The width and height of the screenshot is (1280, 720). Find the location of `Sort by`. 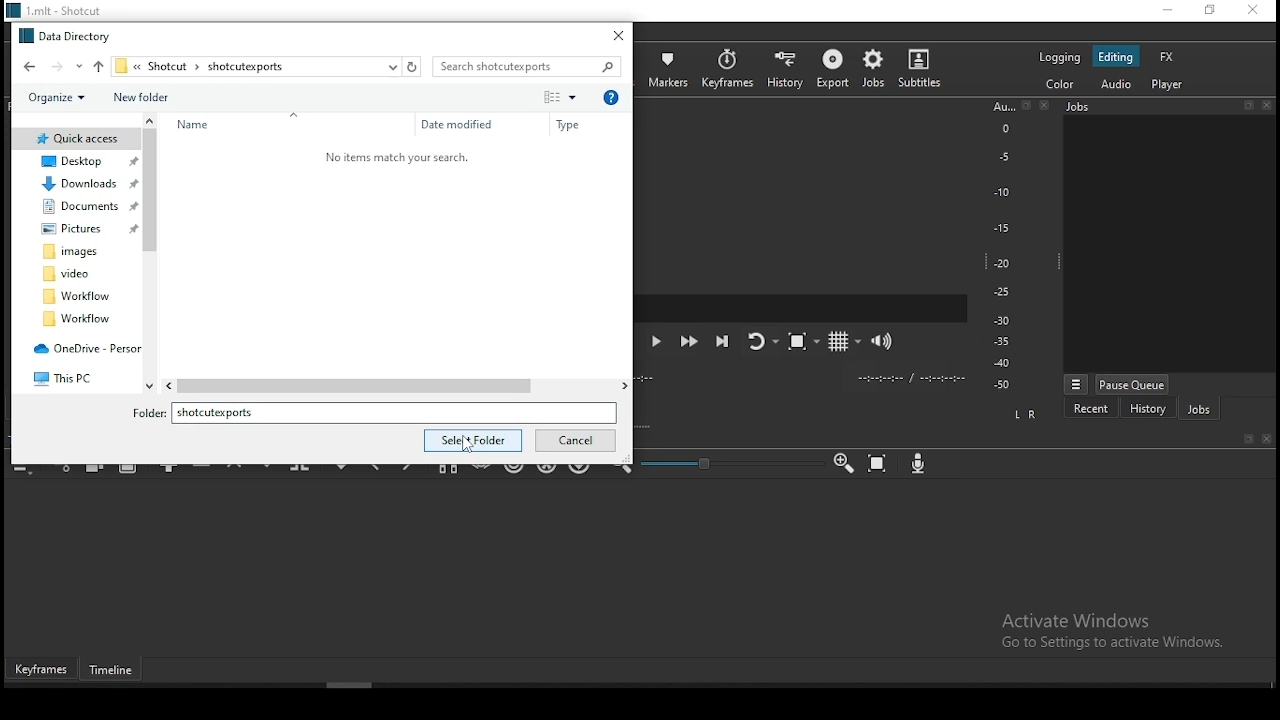

Sort by is located at coordinates (555, 97).